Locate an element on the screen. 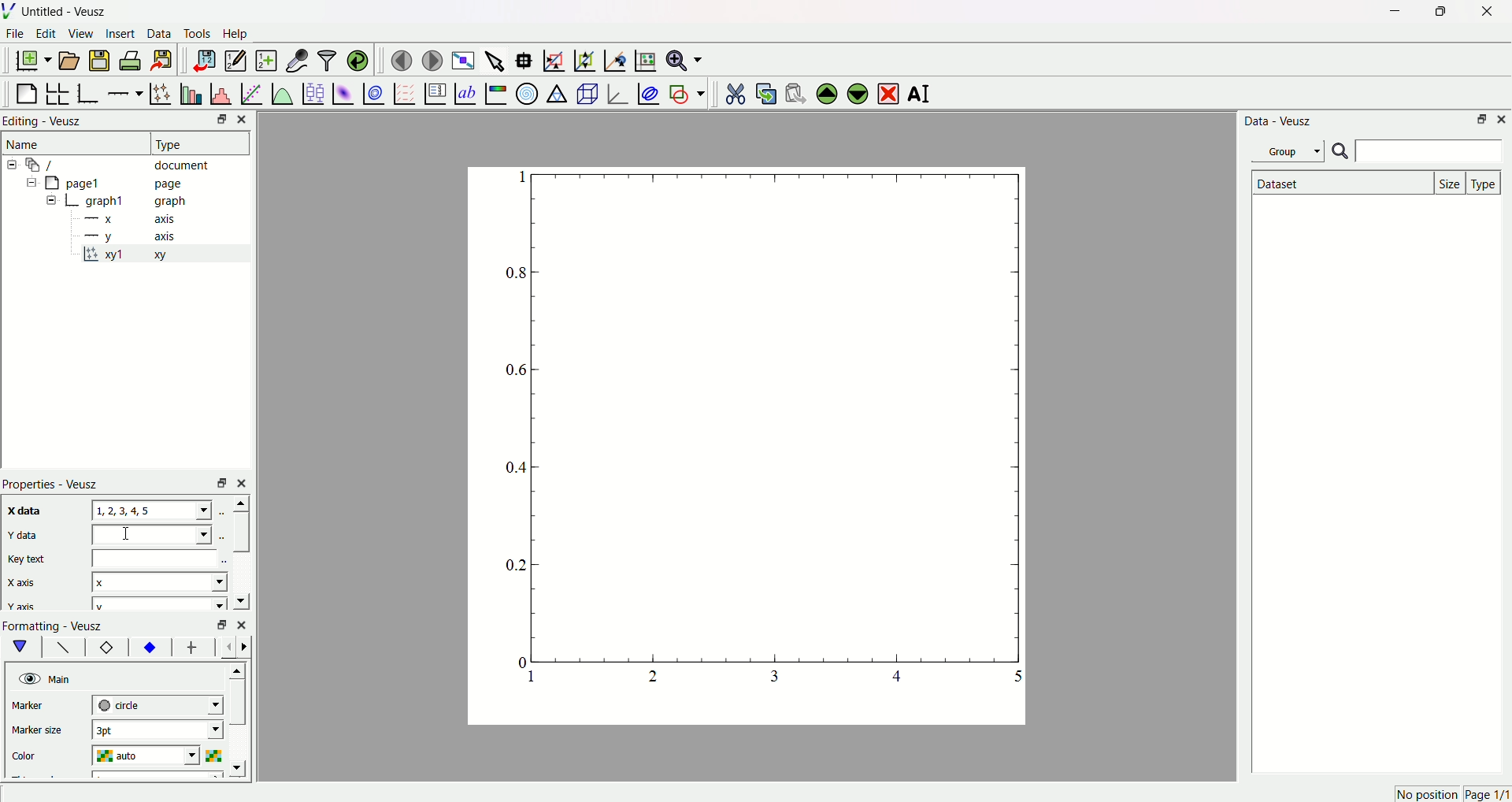 The image size is (1512, 802). Formatting - Veusz is located at coordinates (61, 626).